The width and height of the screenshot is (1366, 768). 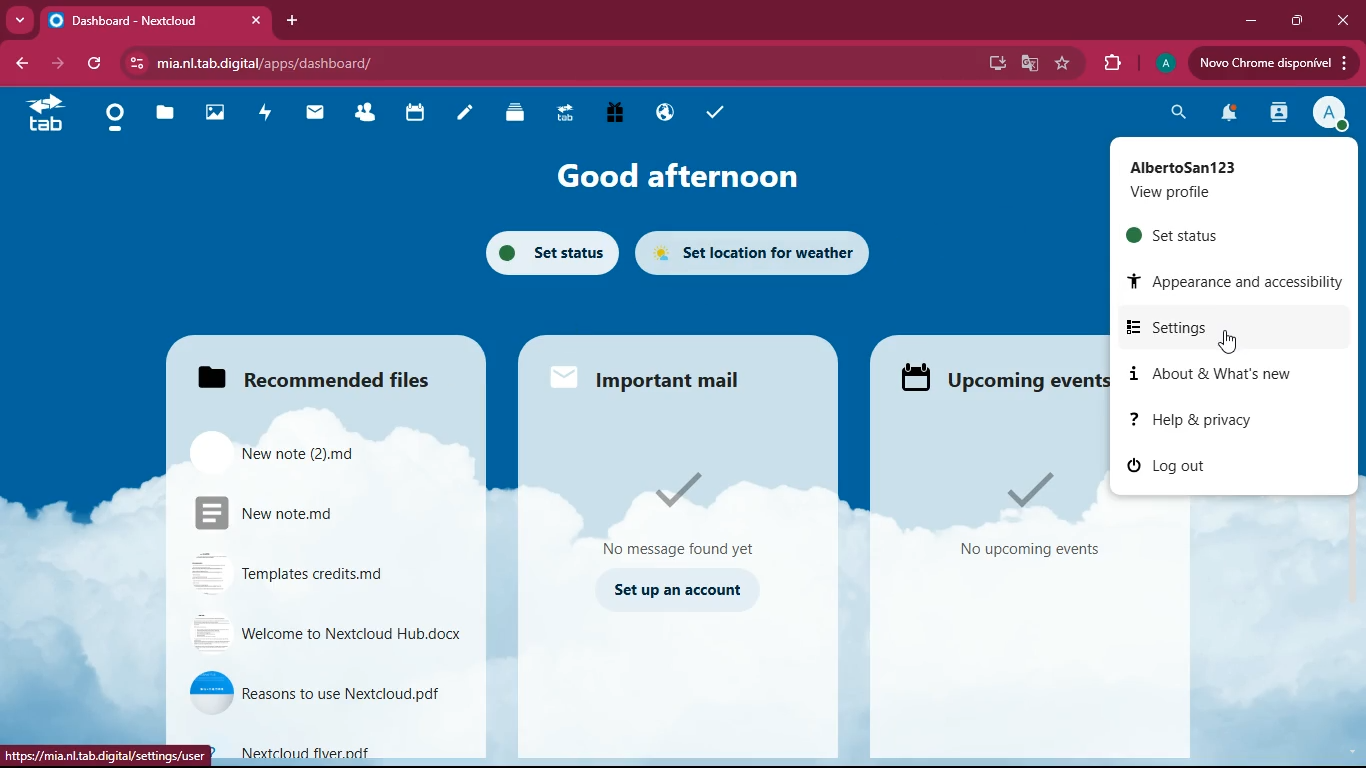 I want to click on more, so click(x=20, y=18).